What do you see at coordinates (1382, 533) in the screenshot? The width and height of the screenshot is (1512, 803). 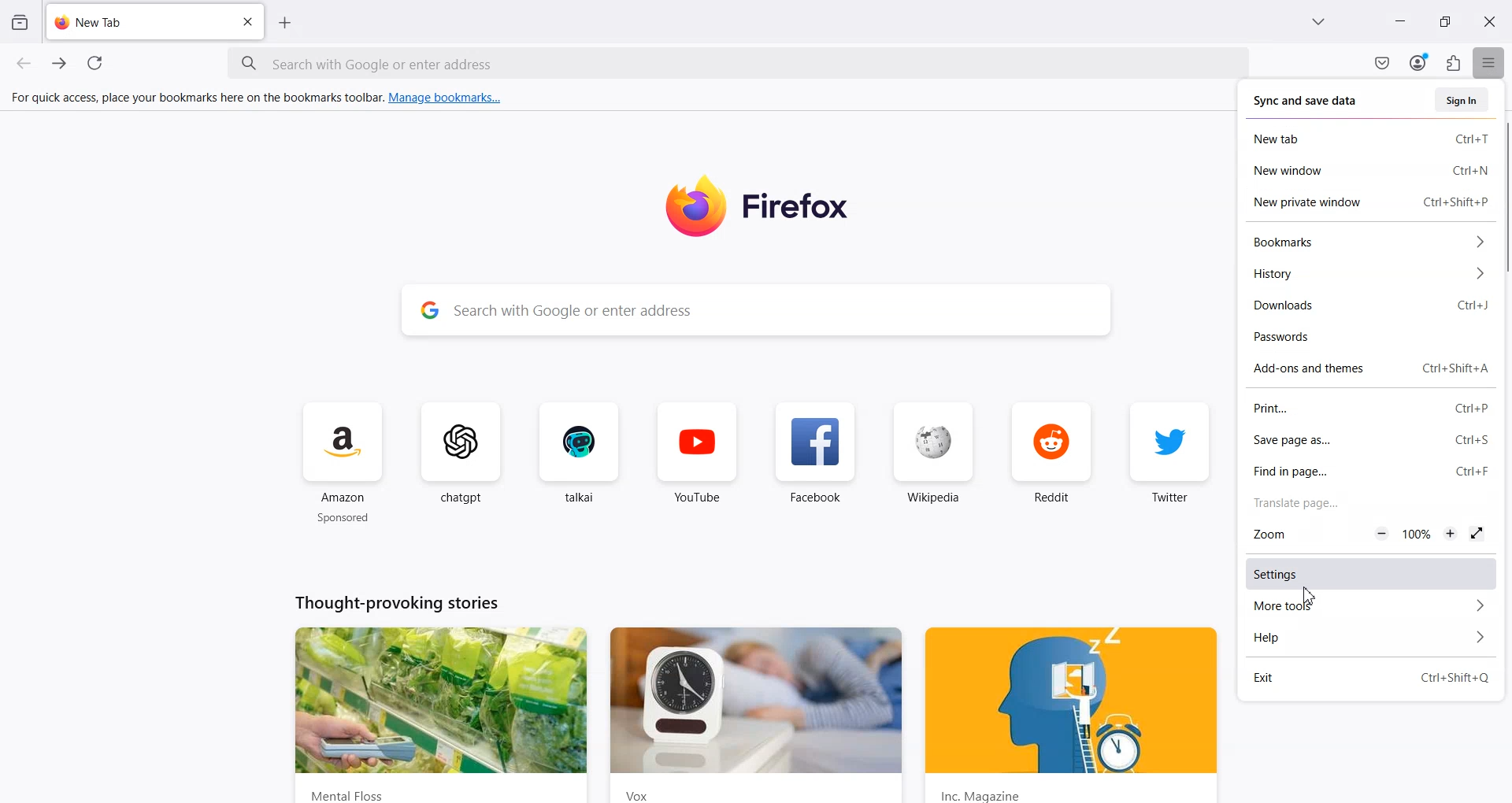 I see `Zoom Out` at bounding box center [1382, 533].